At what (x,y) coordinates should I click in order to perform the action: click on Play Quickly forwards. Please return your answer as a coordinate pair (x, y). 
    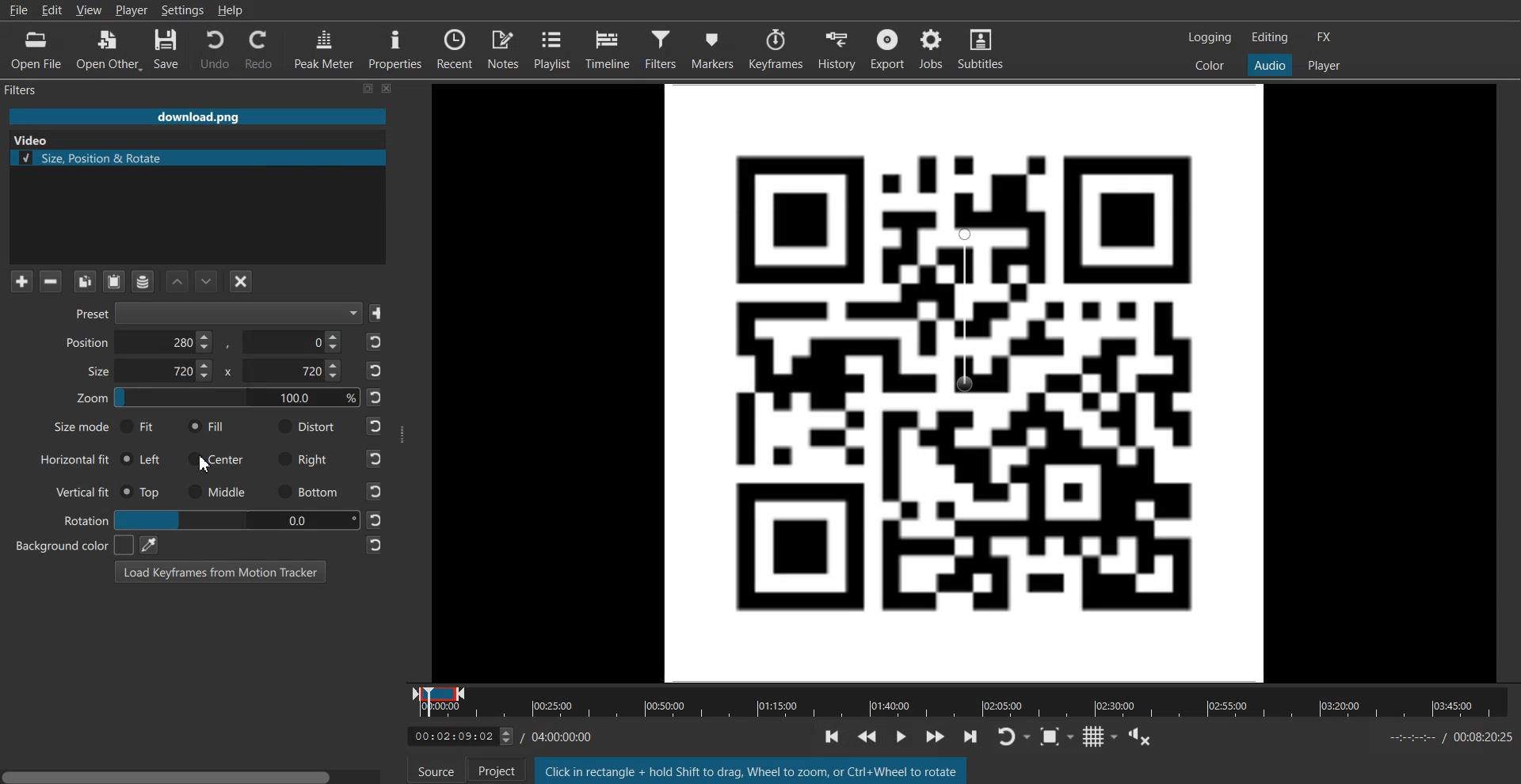
    Looking at the image, I should click on (936, 738).